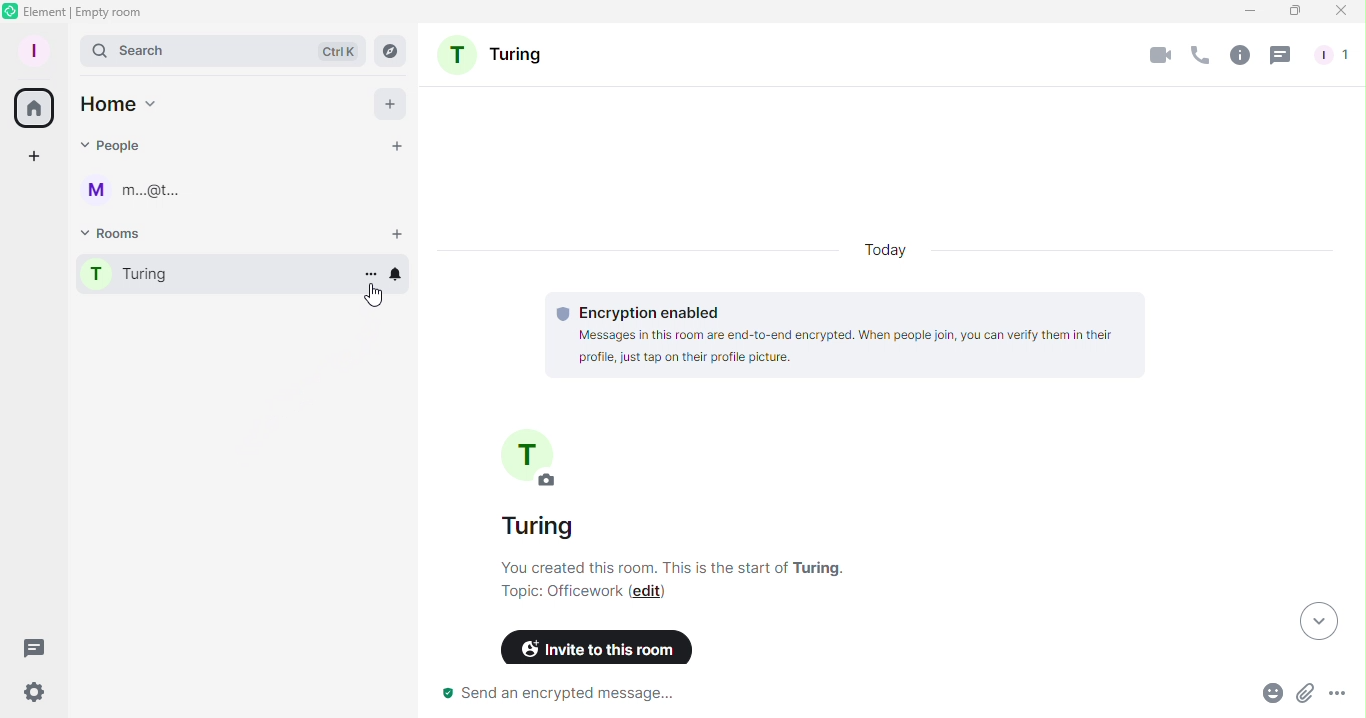 The width and height of the screenshot is (1366, 718). Describe the element at coordinates (398, 147) in the screenshot. I see `Start chat` at that location.